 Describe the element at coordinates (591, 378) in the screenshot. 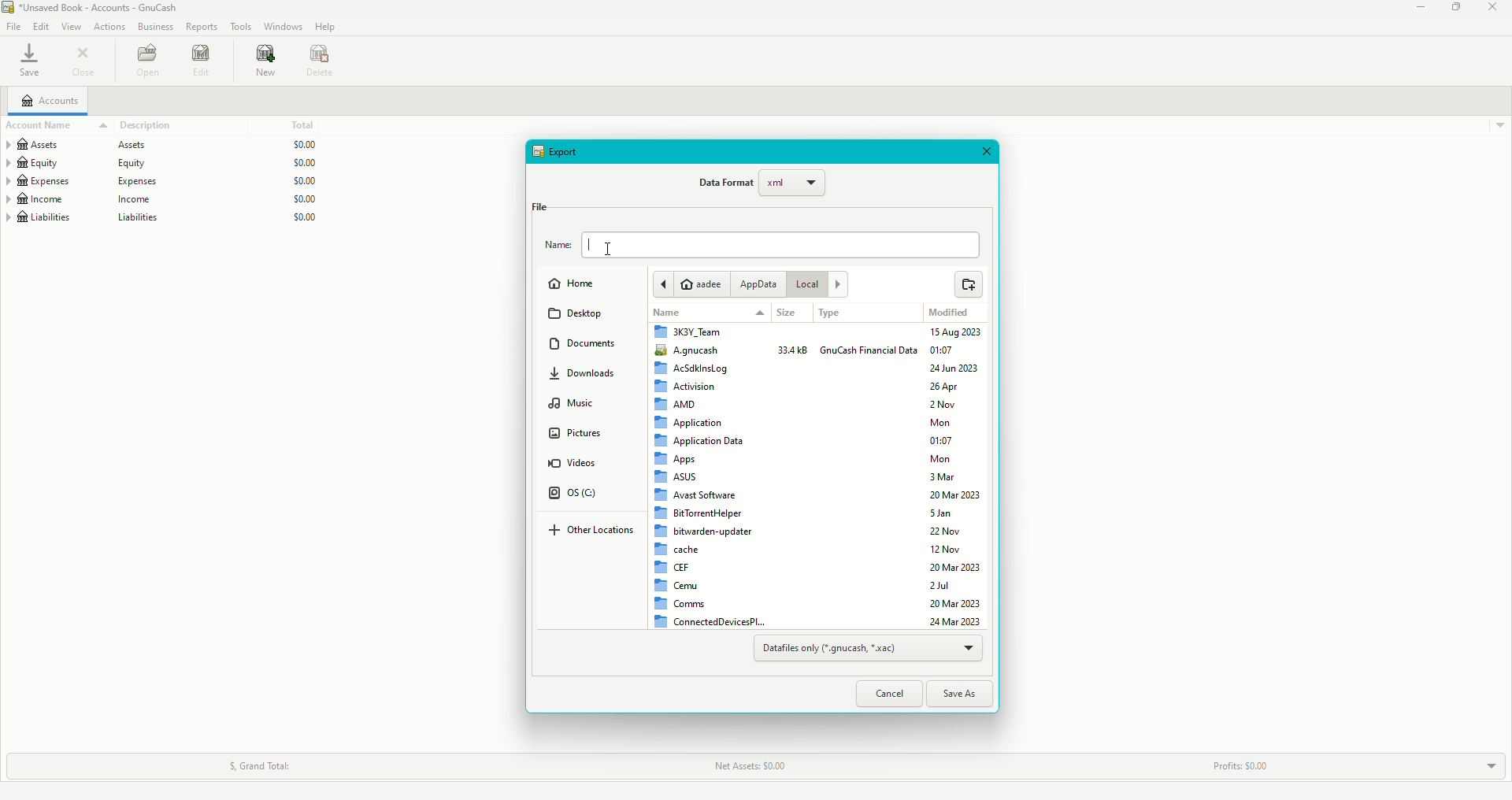

I see `Downloads` at that location.